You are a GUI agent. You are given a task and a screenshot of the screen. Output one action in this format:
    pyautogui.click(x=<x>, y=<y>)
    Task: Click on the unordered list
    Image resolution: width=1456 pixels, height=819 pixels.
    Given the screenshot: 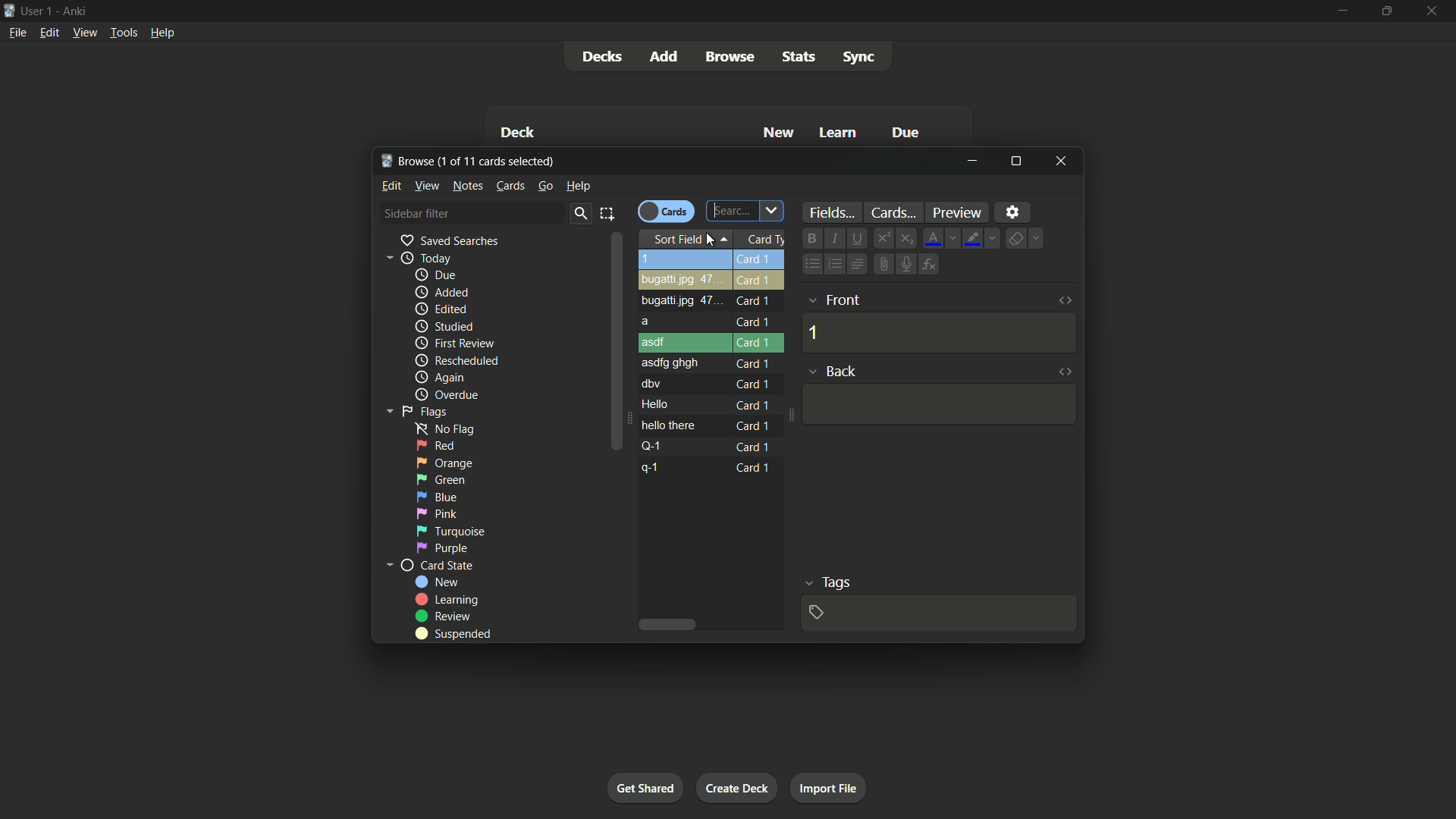 What is the action you would take?
    pyautogui.click(x=809, y=264)
    